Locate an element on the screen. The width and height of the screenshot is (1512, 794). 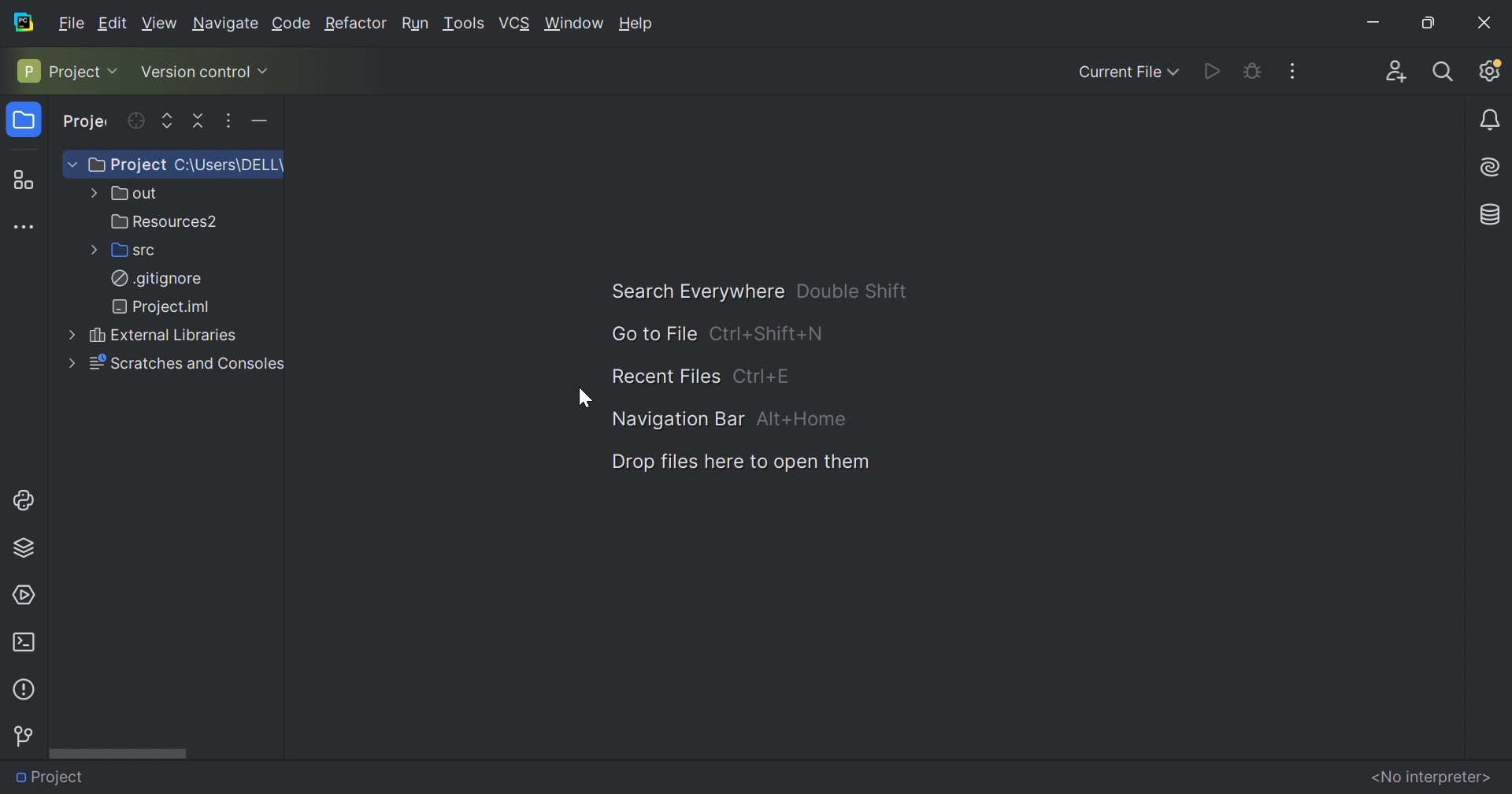
Go to file is located at coordinates (647, 335).